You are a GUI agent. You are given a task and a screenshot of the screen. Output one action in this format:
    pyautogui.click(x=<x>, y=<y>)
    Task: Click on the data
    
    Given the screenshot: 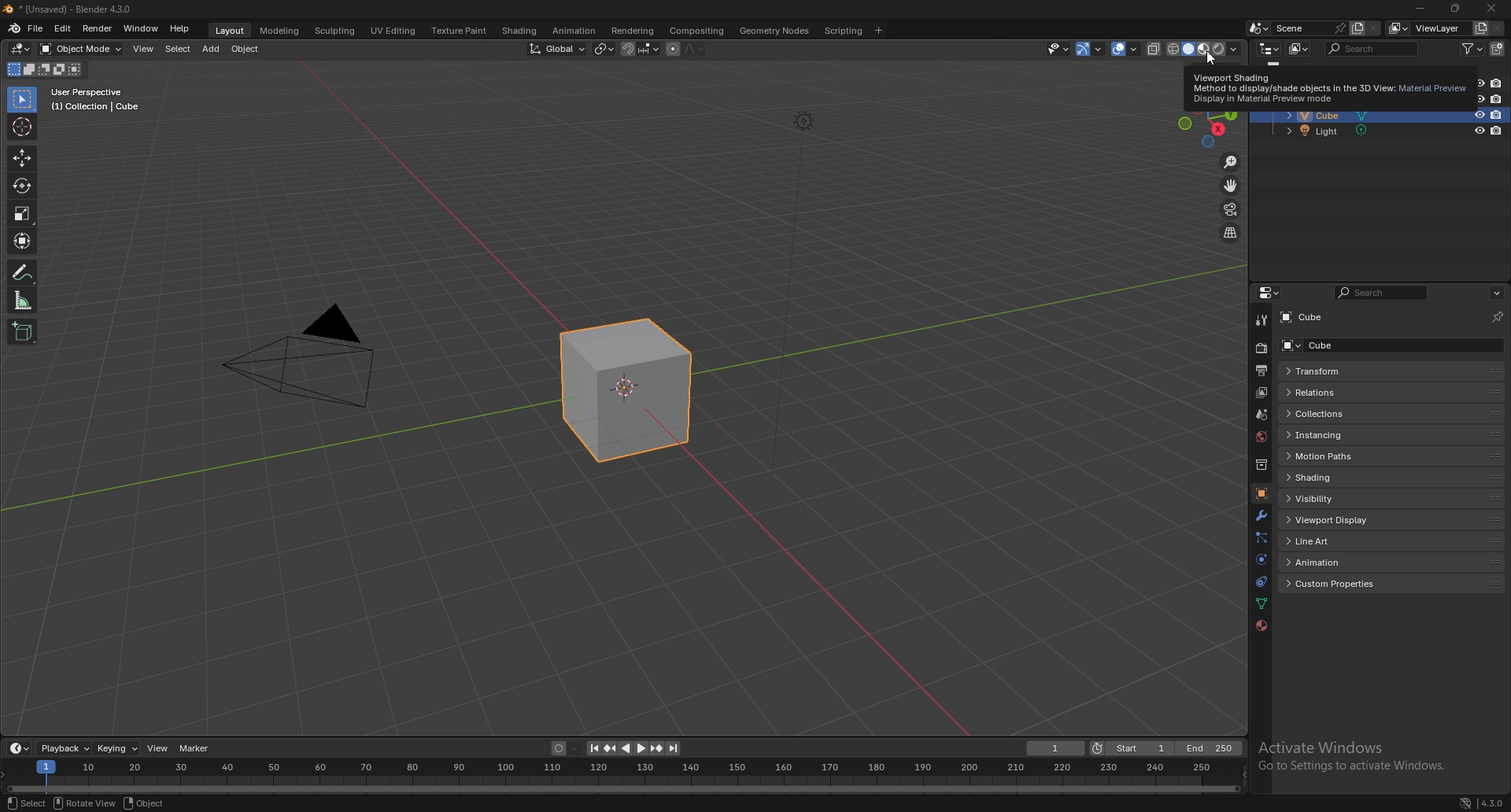 What is the action you would take?
    pyautogui.click(x=1262, y=603)
    